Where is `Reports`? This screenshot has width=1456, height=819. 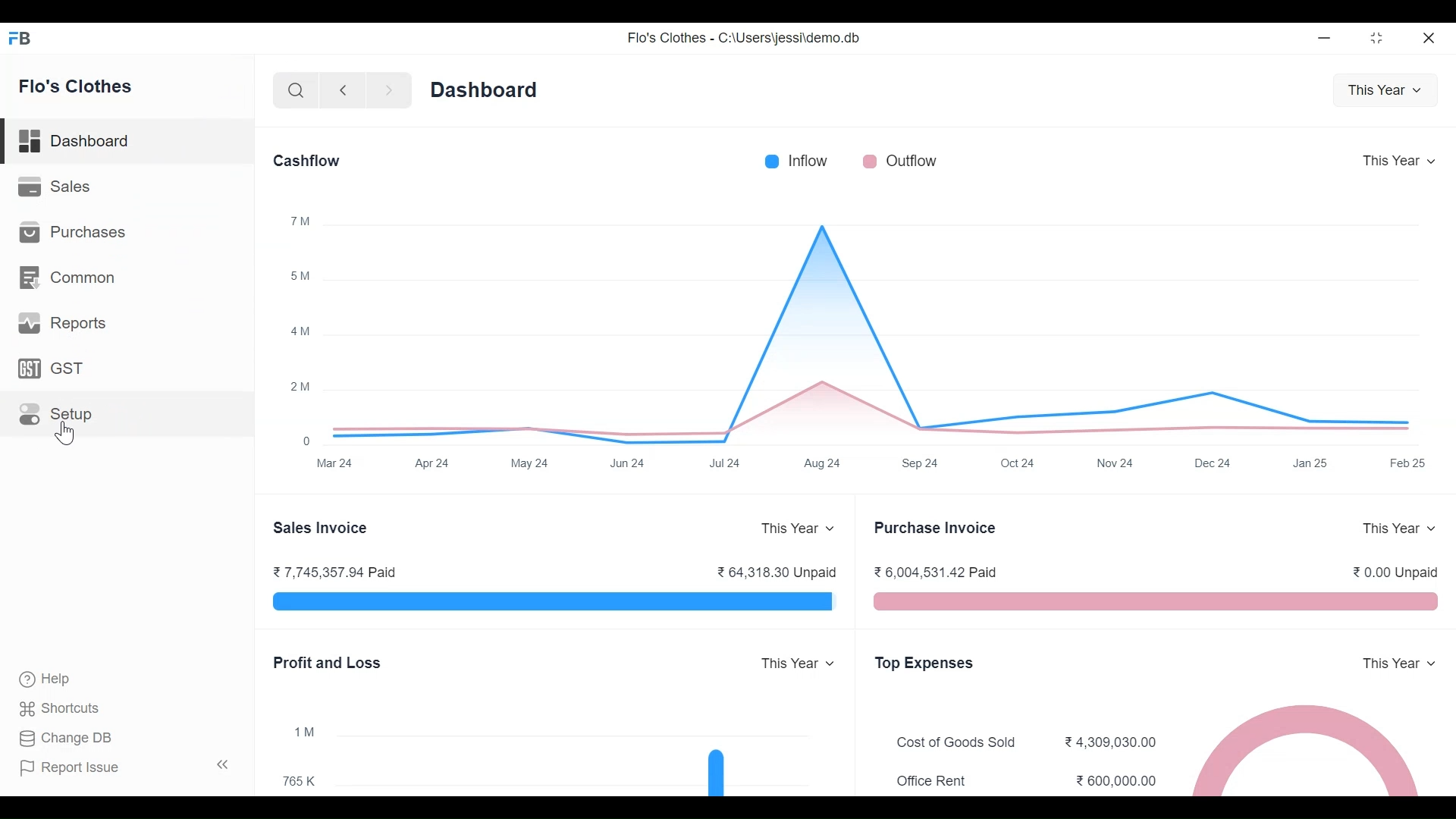 Reports is located at coordinates (61, 323).